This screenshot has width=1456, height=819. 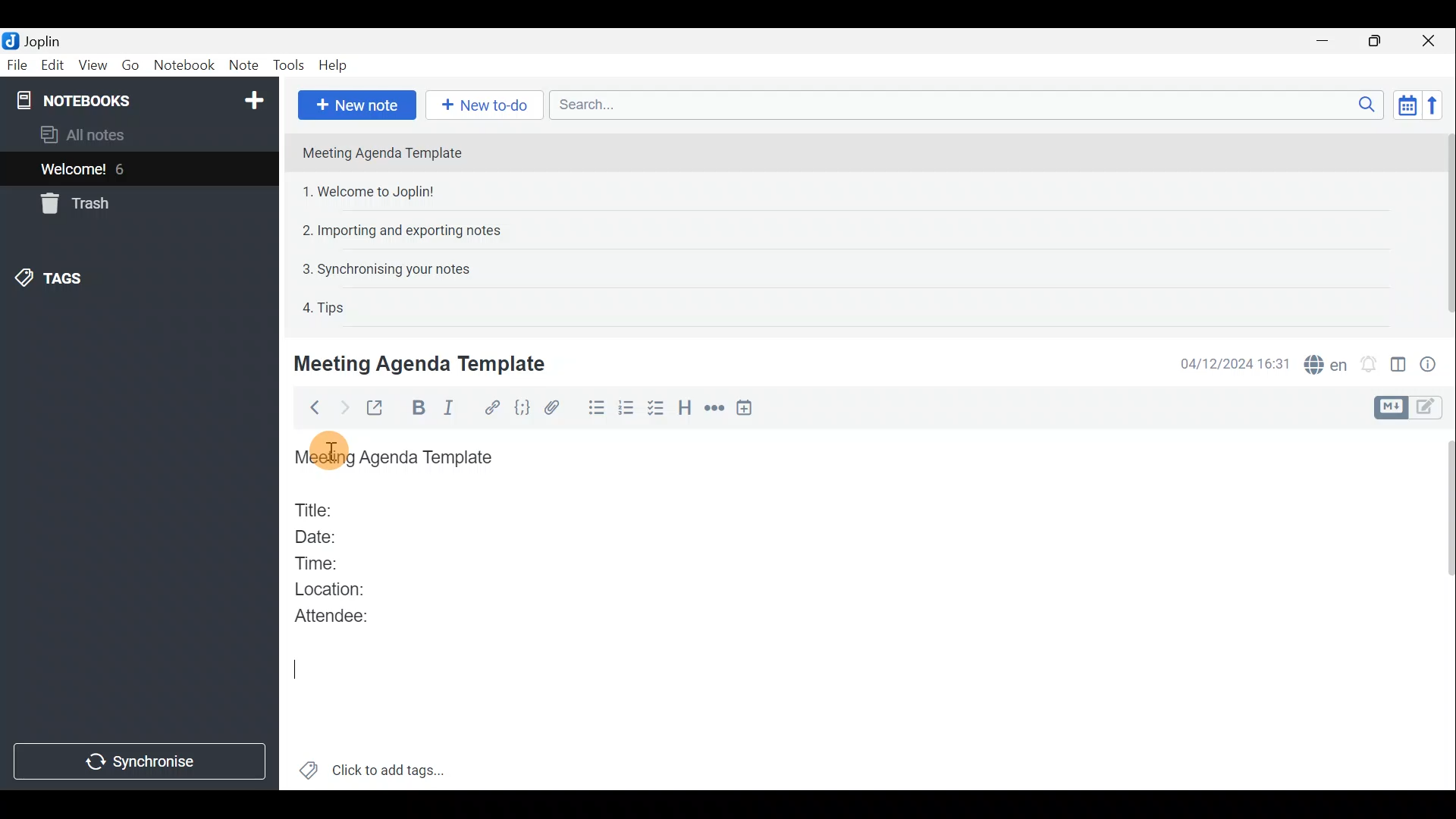 What do you see at coordinates (626, 410) in the screenshot?
I see `Numbered list` at bounding box center [626, 410].